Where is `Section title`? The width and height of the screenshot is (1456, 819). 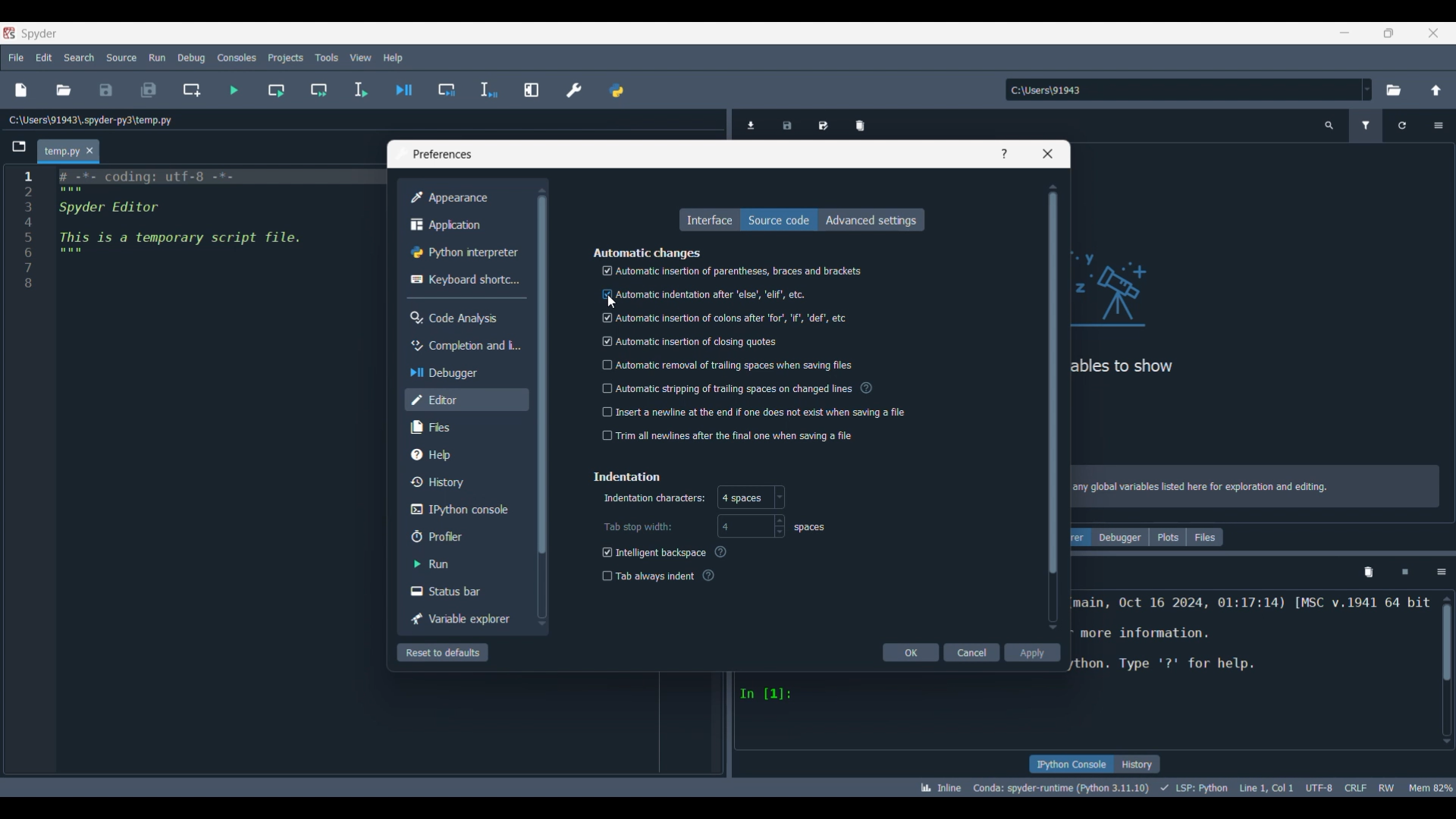 Section title is located at coordinates (626, 476).